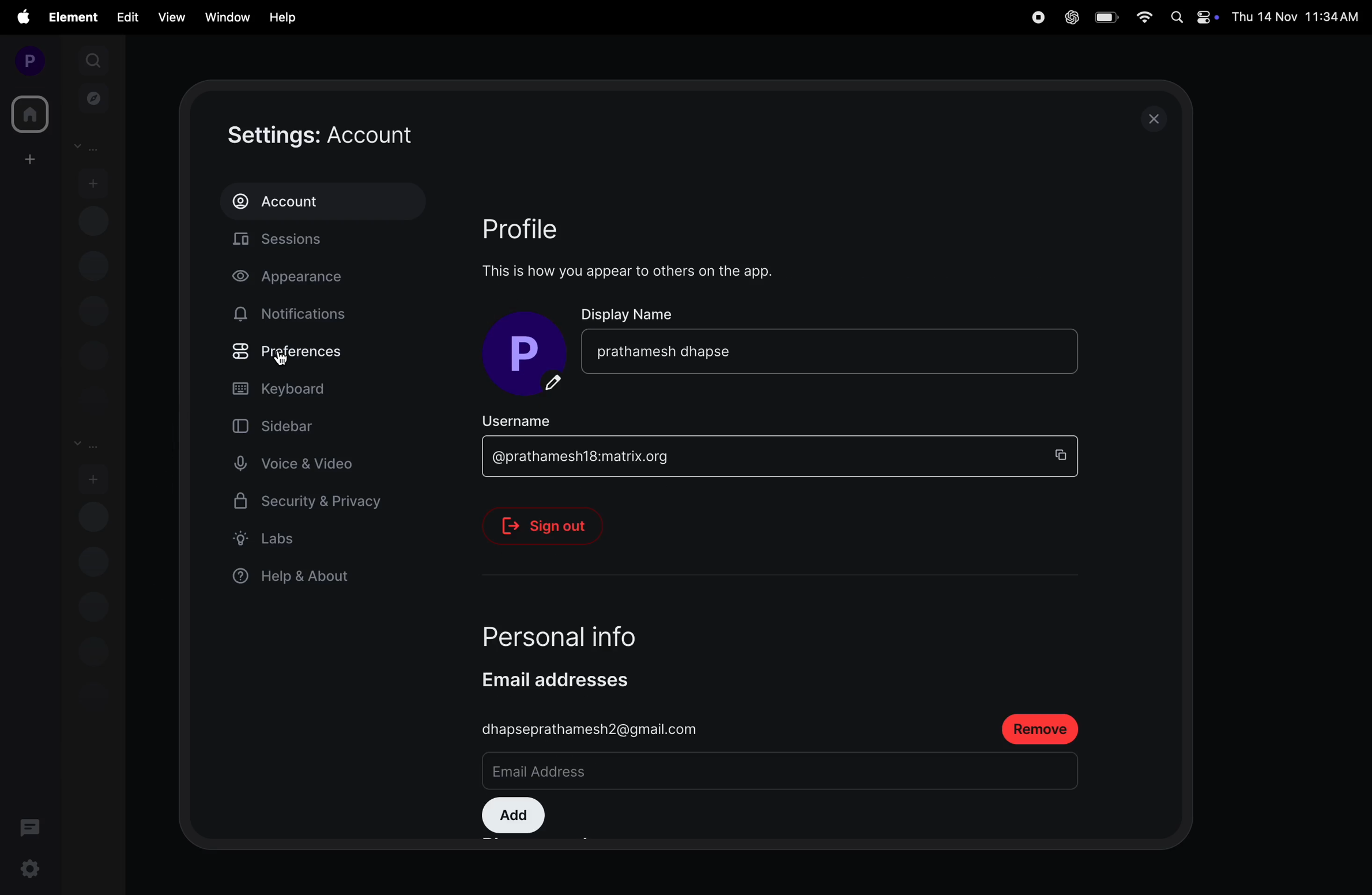 Image resolution: width=1372 pixels, height=895 pixels. What do you see at coordinates (588, 732) in the screenshot?
I see `dhapseprathamesh2@gmail.com` at bounding box center [588, 732].